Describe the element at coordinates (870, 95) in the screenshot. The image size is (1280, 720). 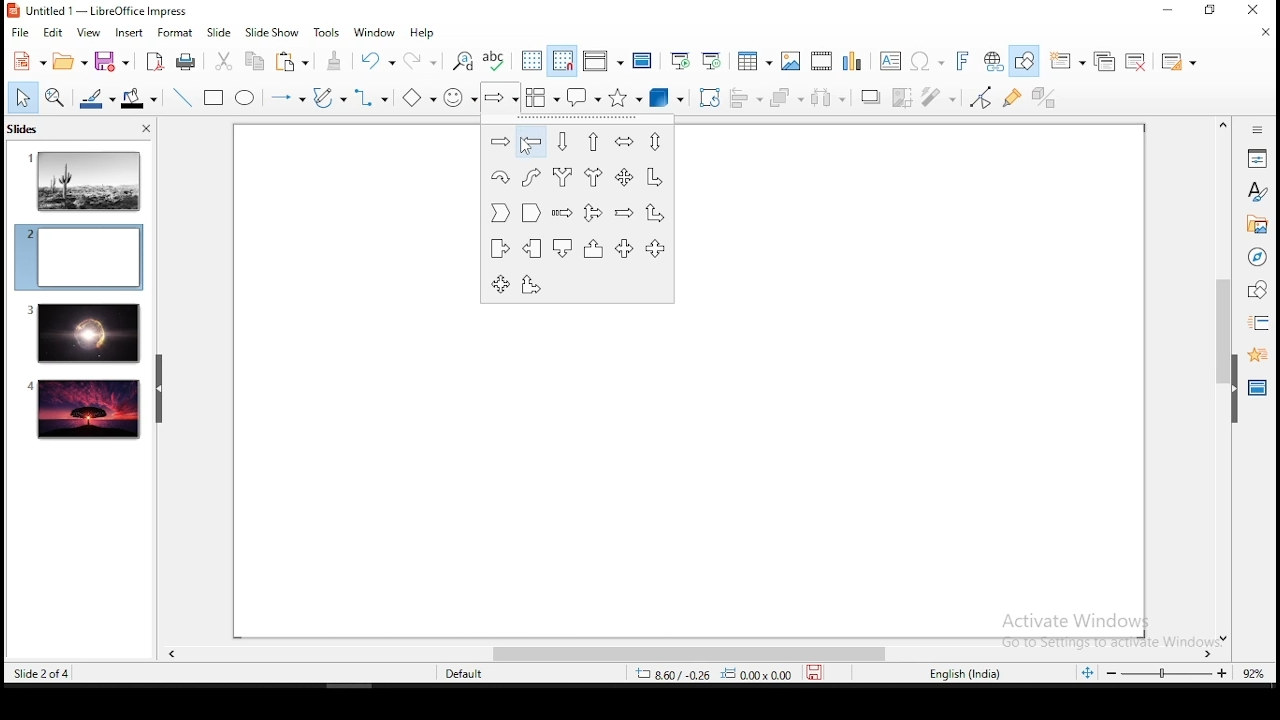
I see `shadow` at that location.